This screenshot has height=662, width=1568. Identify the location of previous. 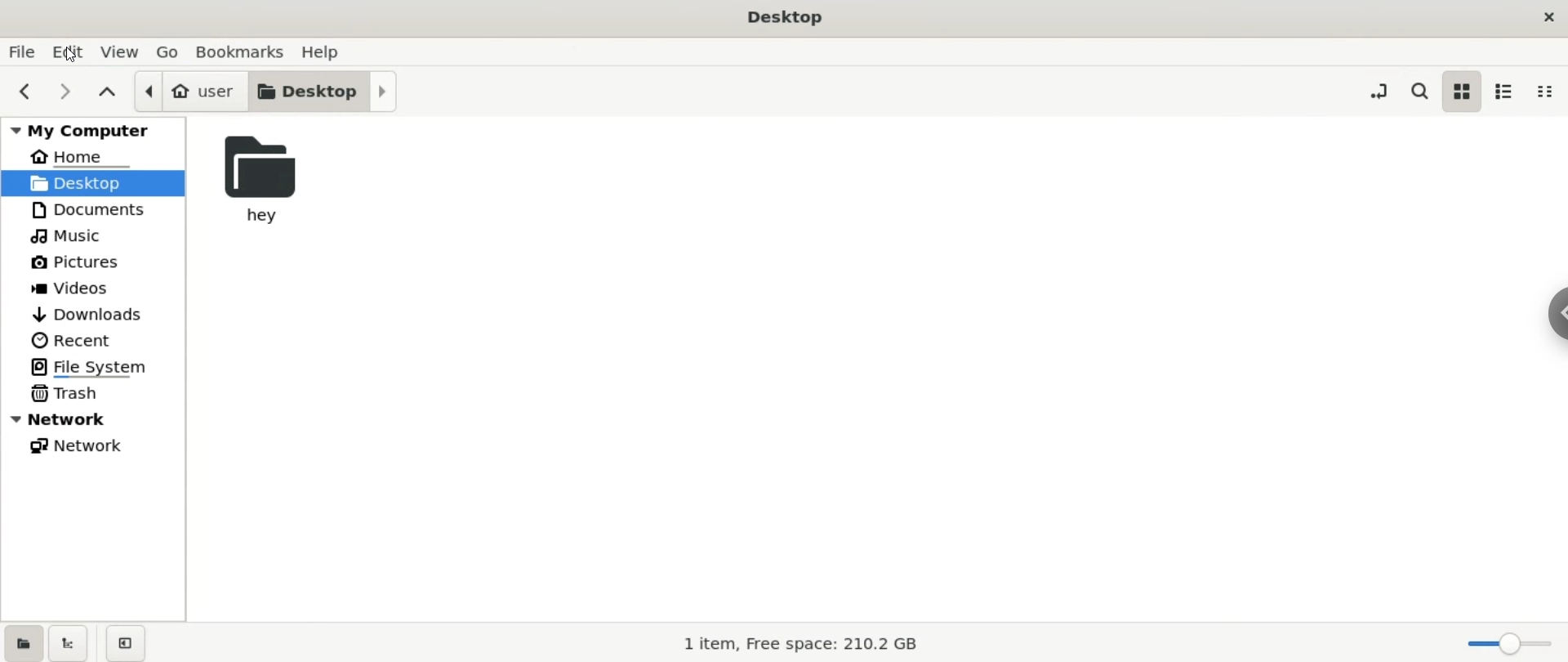
(23, 92).